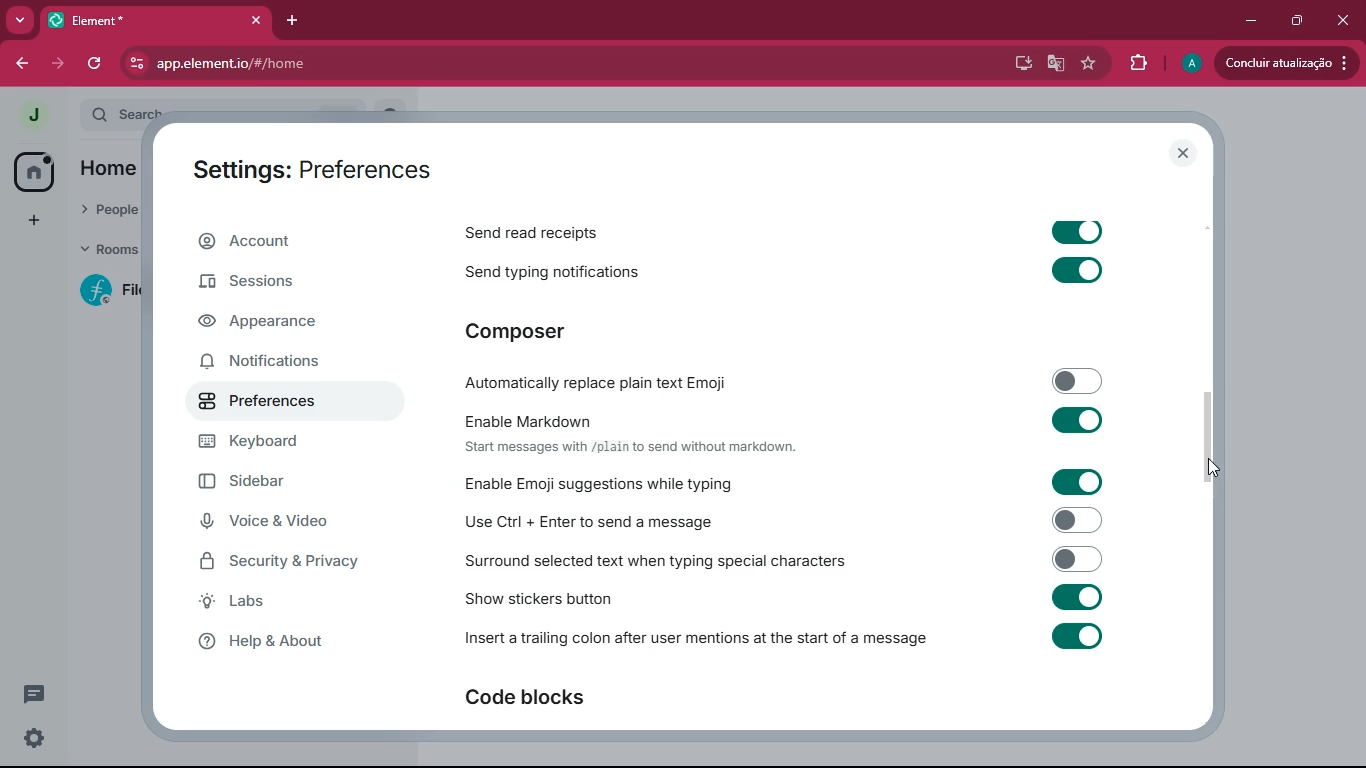 This screenshot has width=1366, height=768. I want to click on Use Cul + Enter to send a message, so click(780, 521).